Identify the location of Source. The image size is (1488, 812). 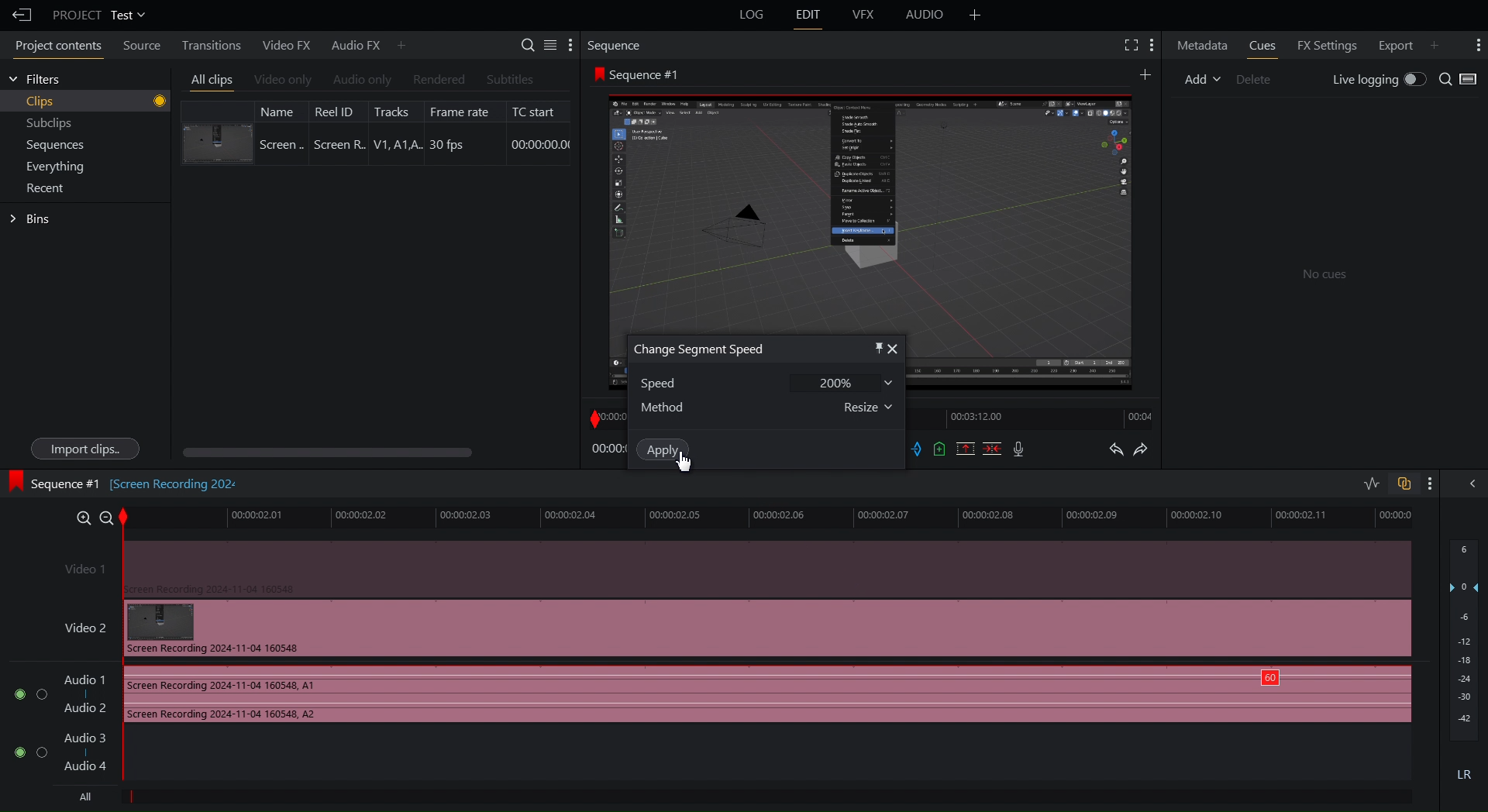
(138, 47).